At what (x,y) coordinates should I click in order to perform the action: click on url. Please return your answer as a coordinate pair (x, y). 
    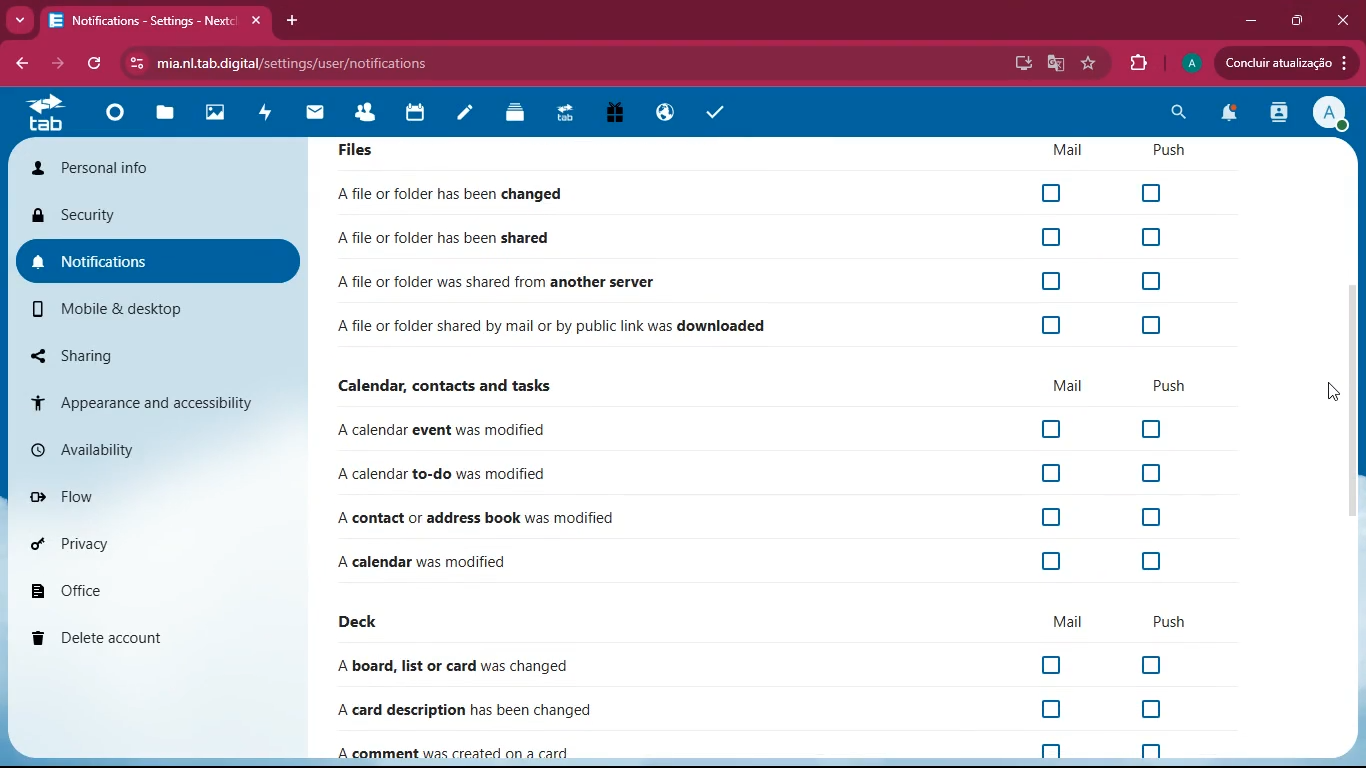
    Looking at the image, I should click on (336, 63).